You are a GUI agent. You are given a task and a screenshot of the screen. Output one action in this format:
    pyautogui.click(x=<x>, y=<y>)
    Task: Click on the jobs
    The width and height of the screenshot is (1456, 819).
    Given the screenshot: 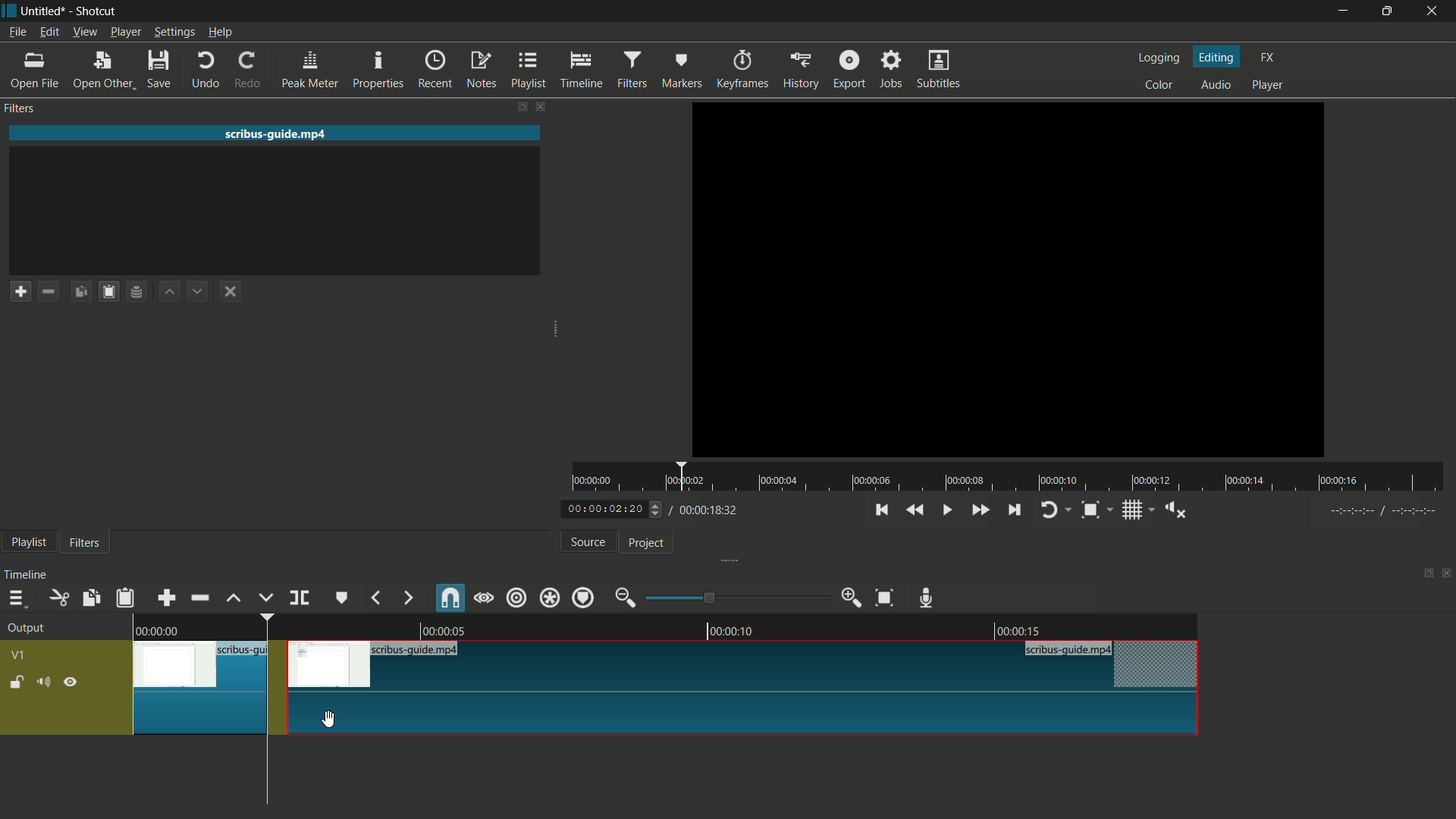 What is the action you would take?
    pyautogui.click(x=893, y=68)
    